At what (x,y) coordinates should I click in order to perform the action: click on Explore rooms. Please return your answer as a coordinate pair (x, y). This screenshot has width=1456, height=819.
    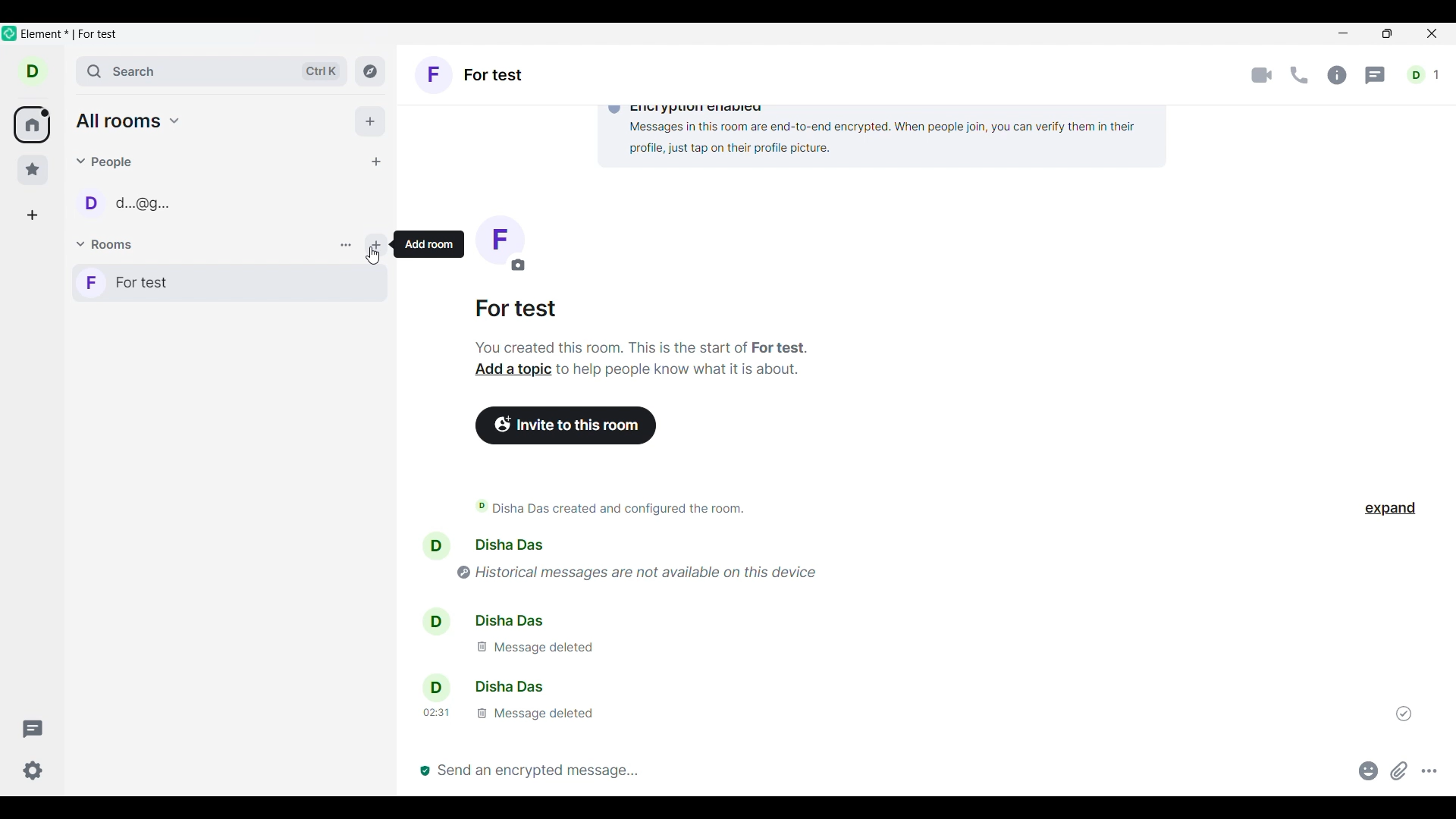
    Looking at the image, I should click on (370, 71).